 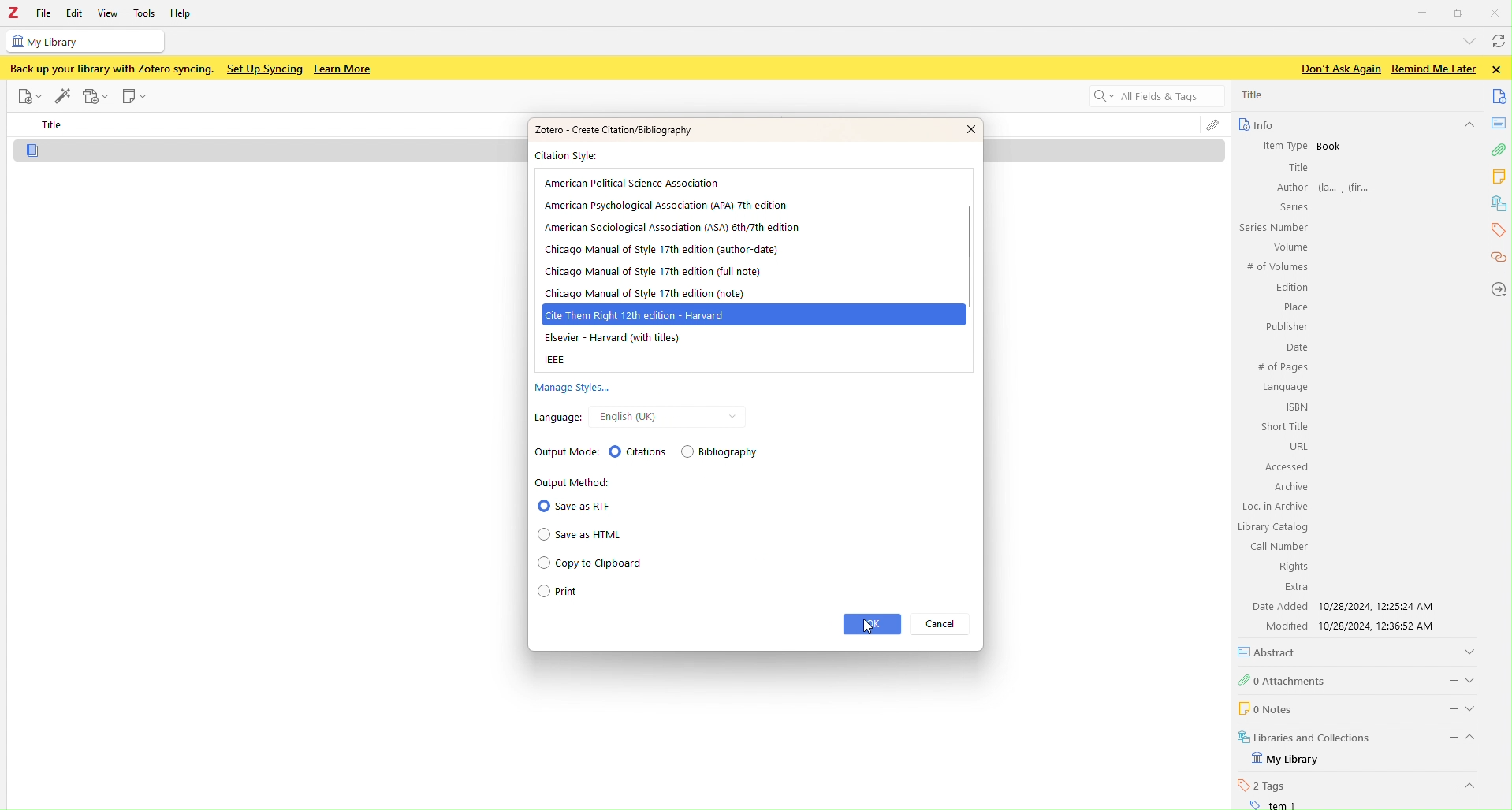 What do you see at coordinates (1280, 626) in the screenshot?
I see `‘Modified` at bounding box center [1280, 626].